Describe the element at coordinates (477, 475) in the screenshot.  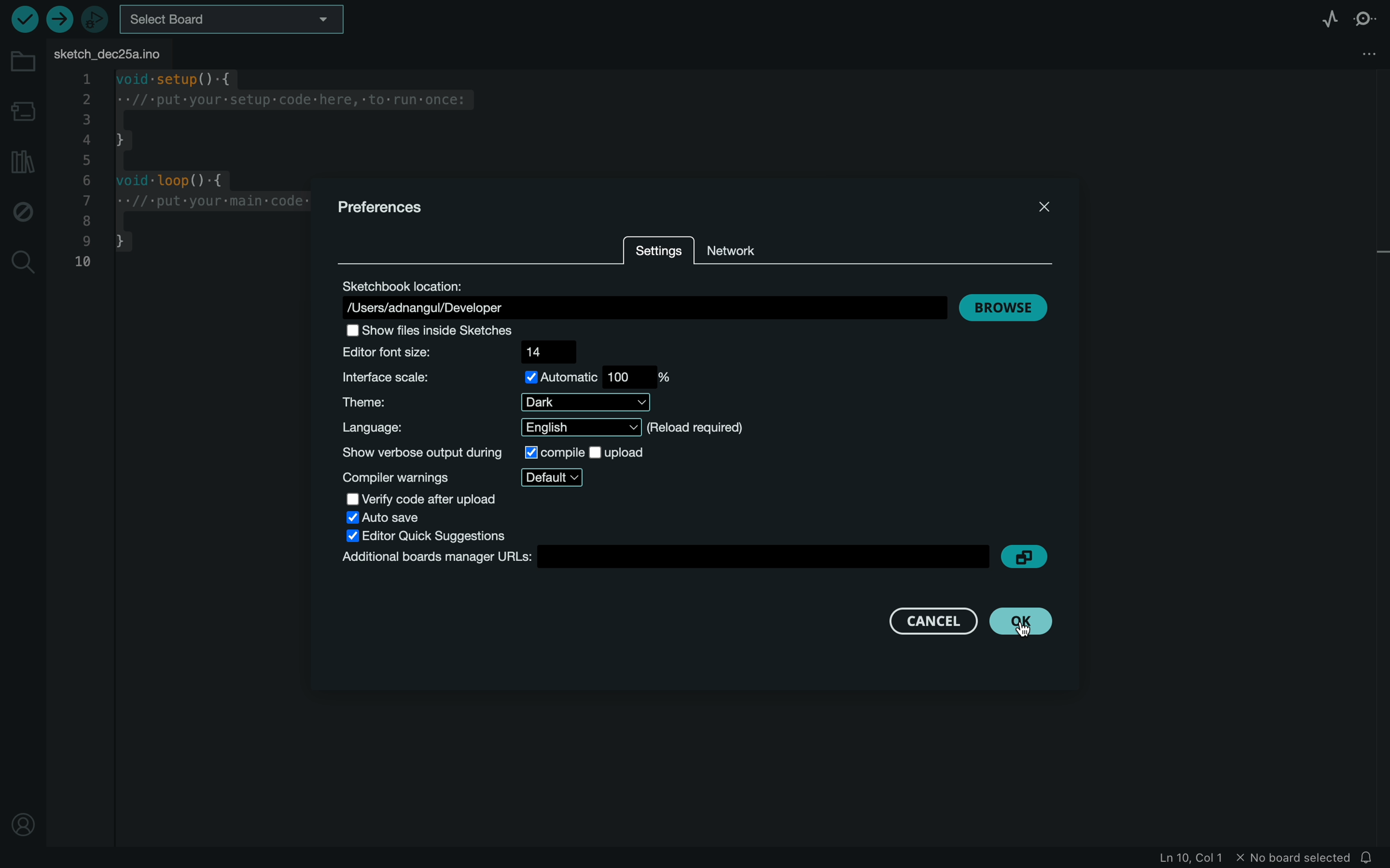
I see `compiler` at that location.